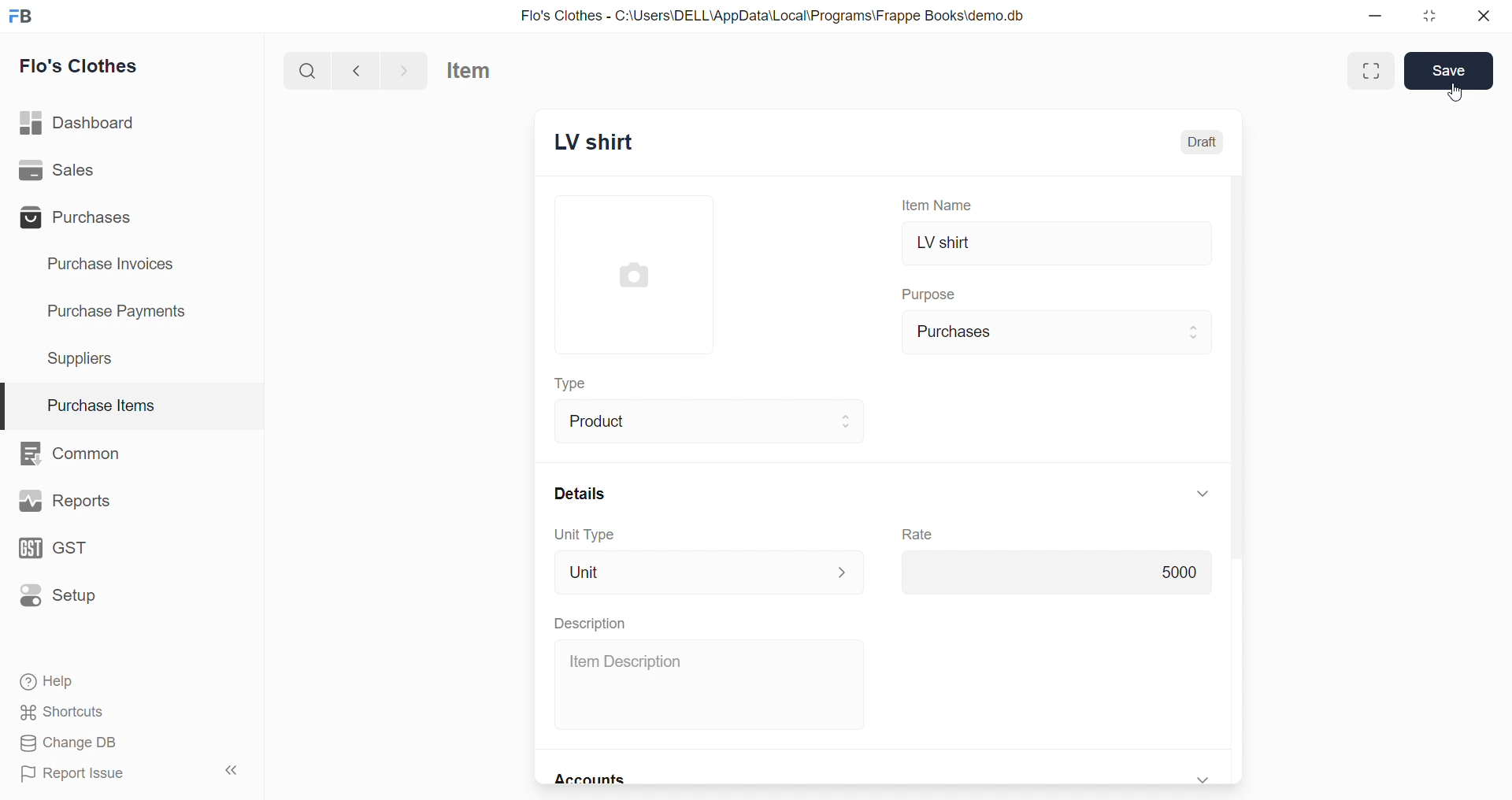 Image resolution: width=1512 pixels, height=800 pixels. What do you see at coordinates (124, 743) in the screenshot?
I see `Change DB` at bounding box center [124, 743].